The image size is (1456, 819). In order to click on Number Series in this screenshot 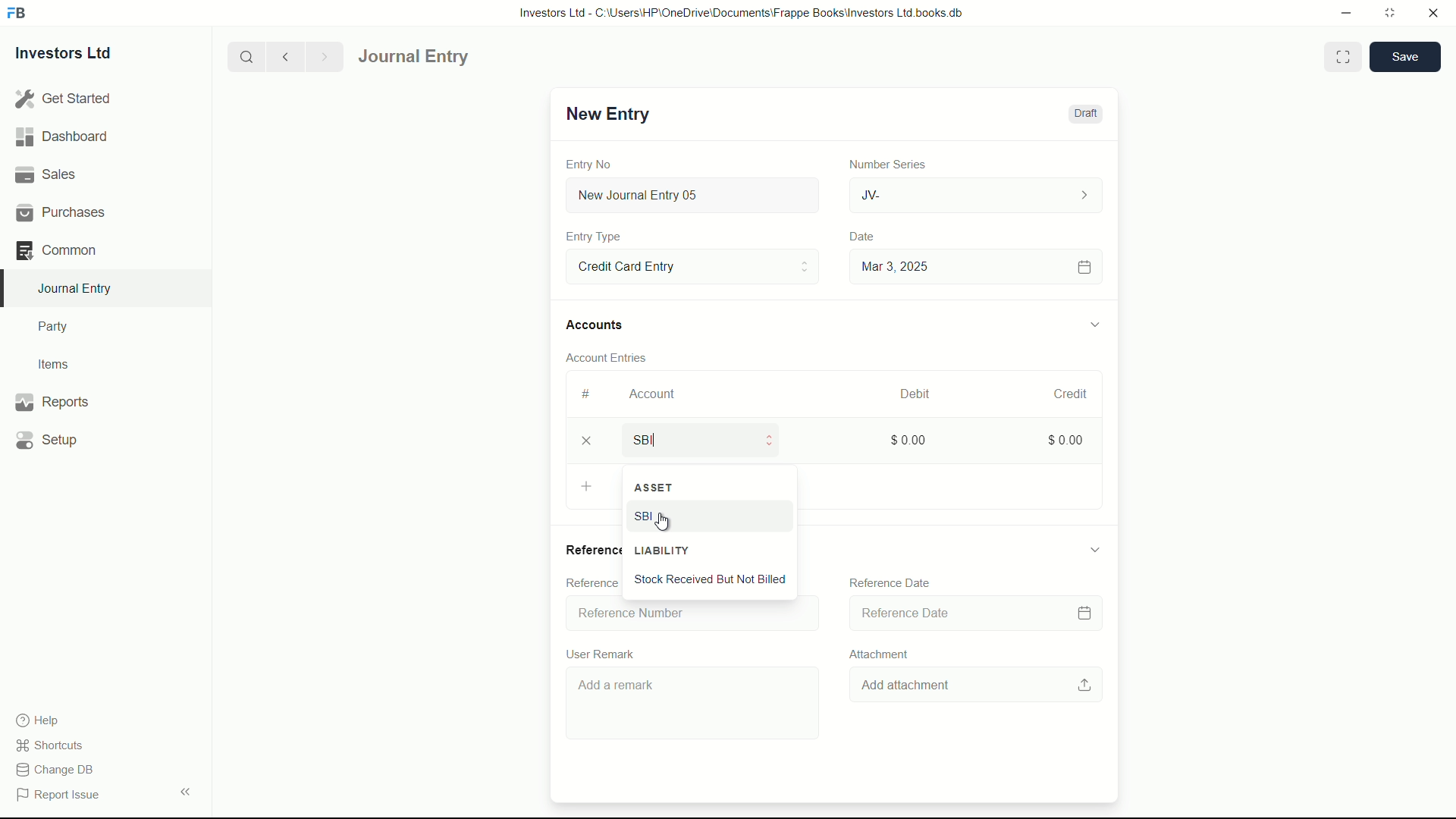, I will do `click(881, 163)`.